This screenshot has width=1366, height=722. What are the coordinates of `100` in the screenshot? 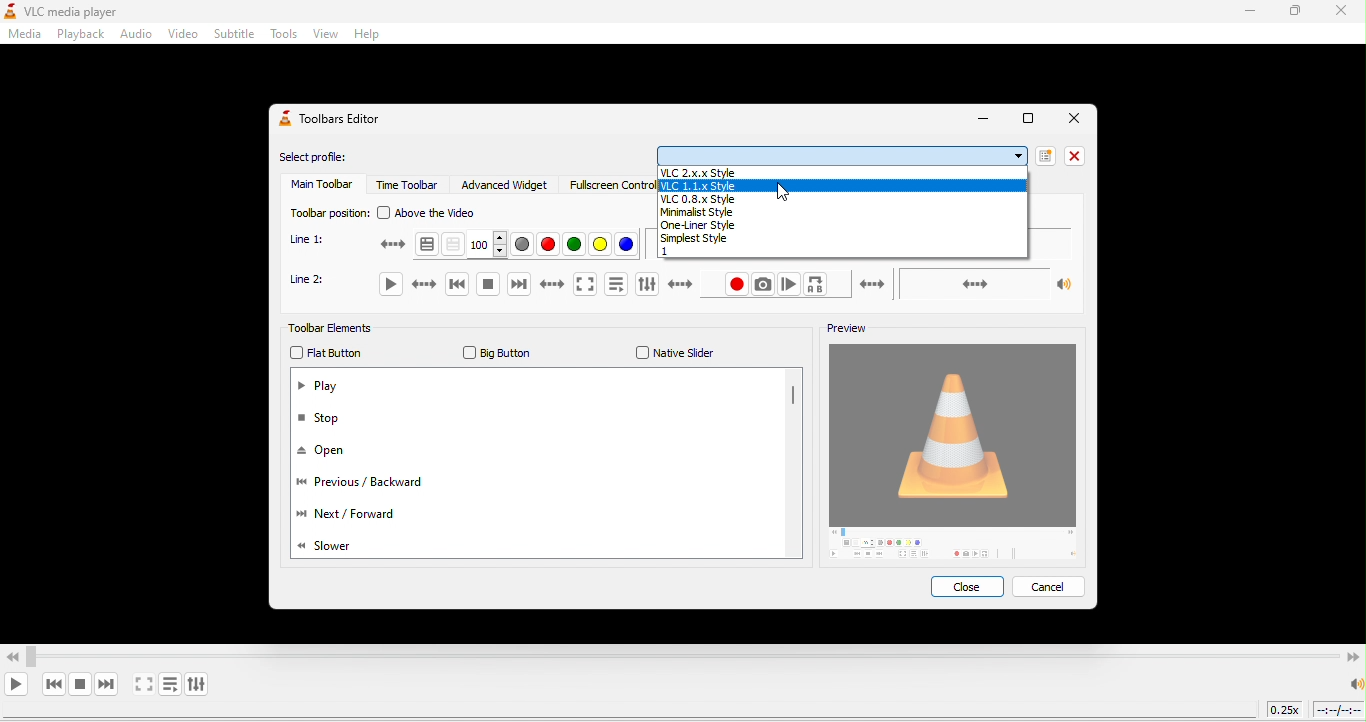 It's located at (486, 246).